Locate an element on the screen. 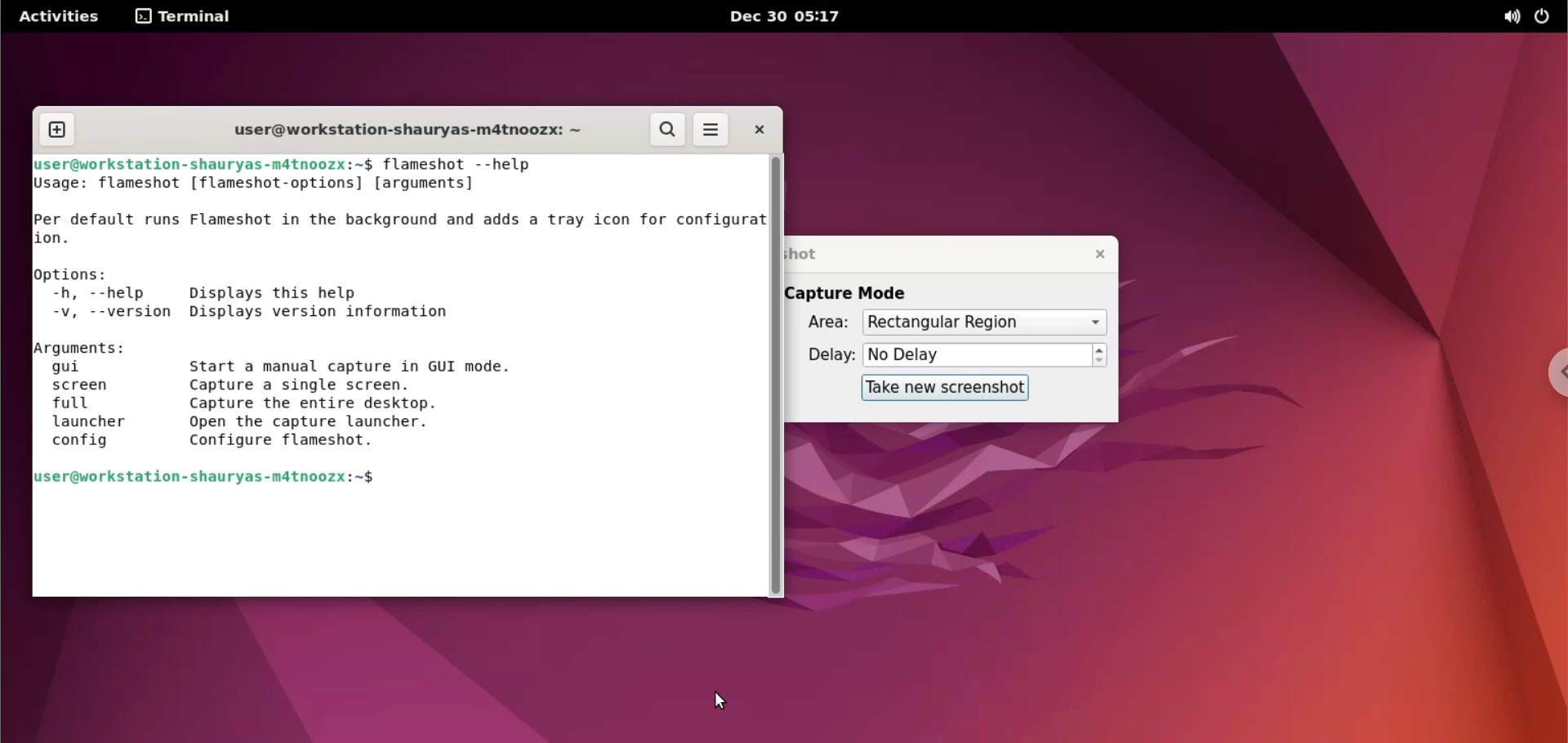  chrome options is located at coordinates (1552, 375).